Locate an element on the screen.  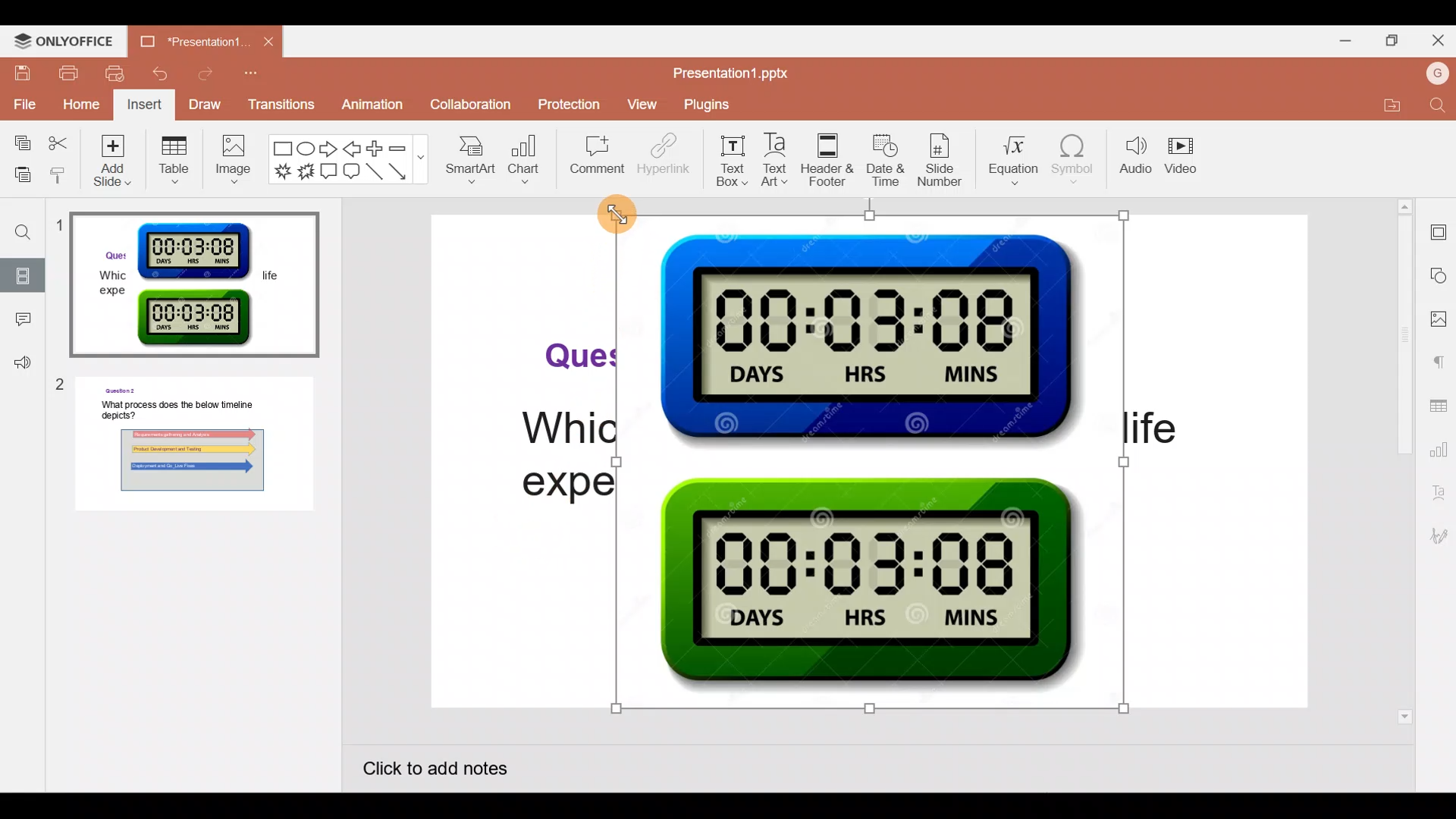
Quick print is located at coordinates (118, 74).